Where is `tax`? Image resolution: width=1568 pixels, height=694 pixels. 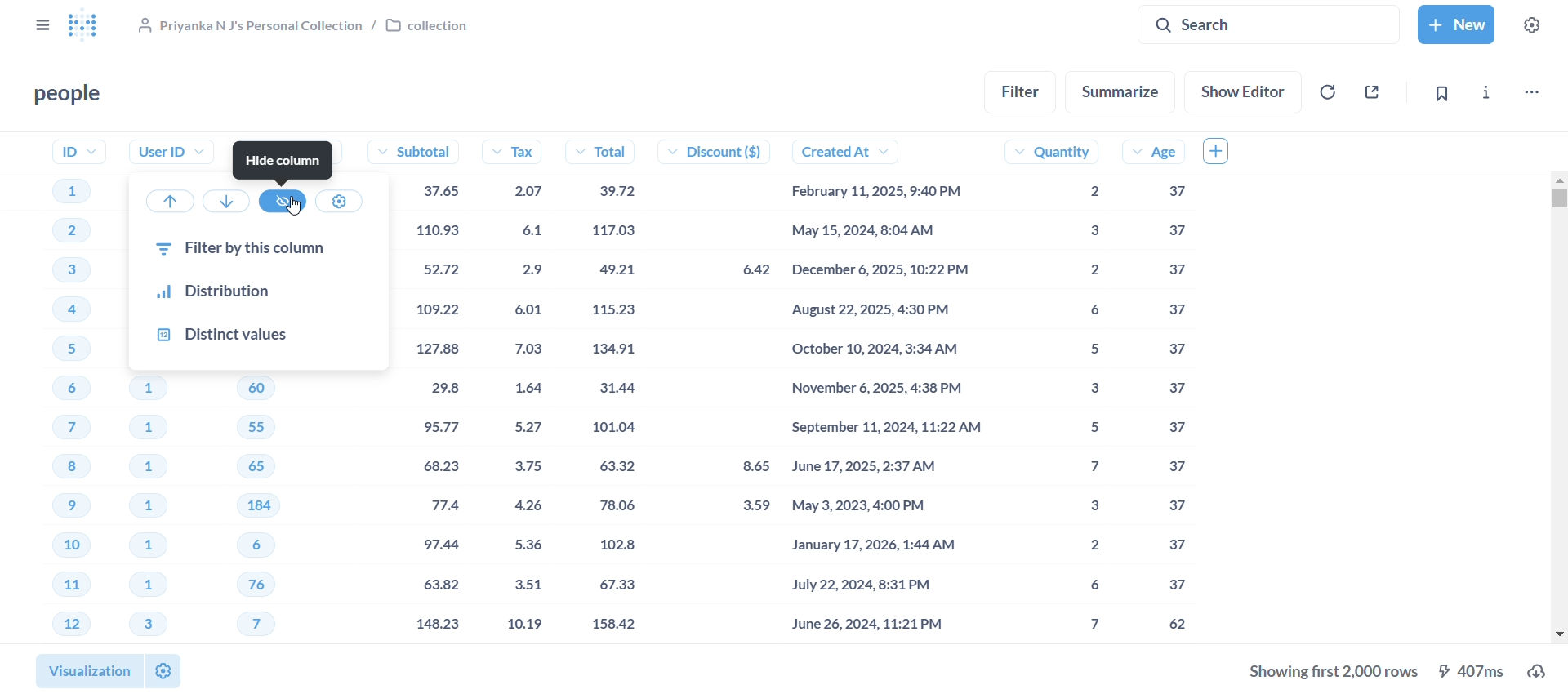 tax is located at coordinates (519, 388).